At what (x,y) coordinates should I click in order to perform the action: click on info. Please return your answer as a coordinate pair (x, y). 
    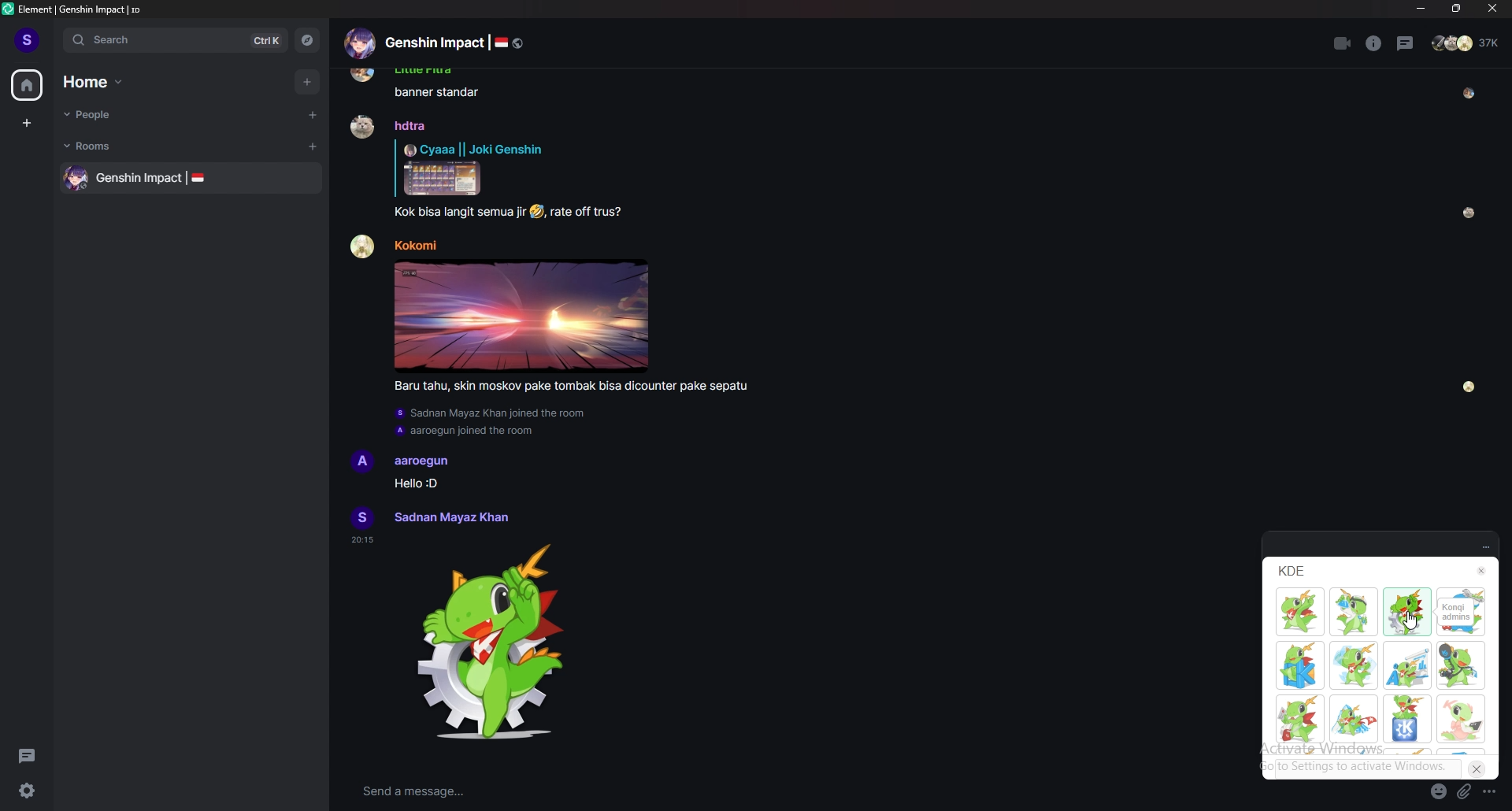
    Looking at the image, I should click on (1374, 43).